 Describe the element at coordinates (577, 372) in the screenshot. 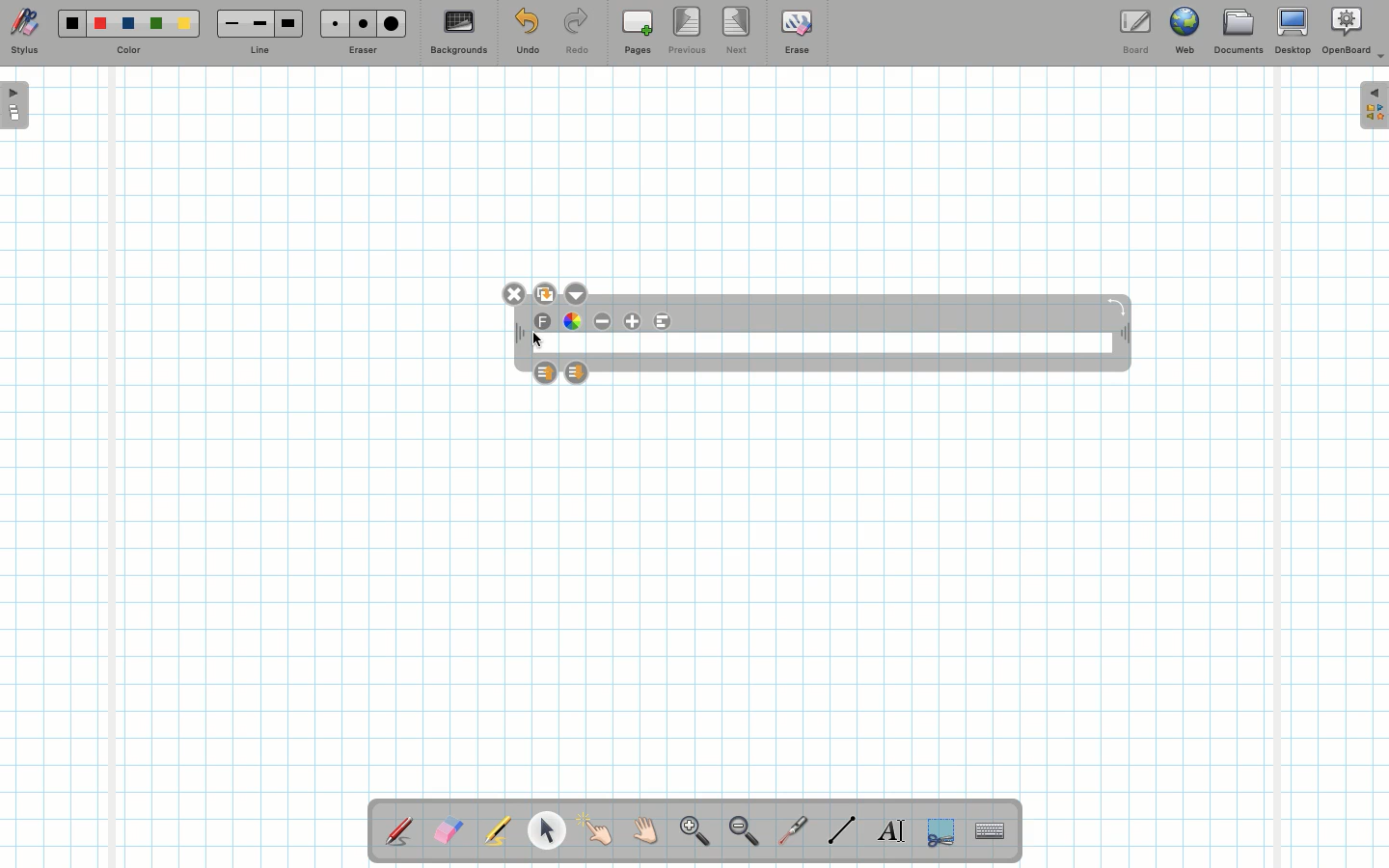

I see `Layer down` at that location.